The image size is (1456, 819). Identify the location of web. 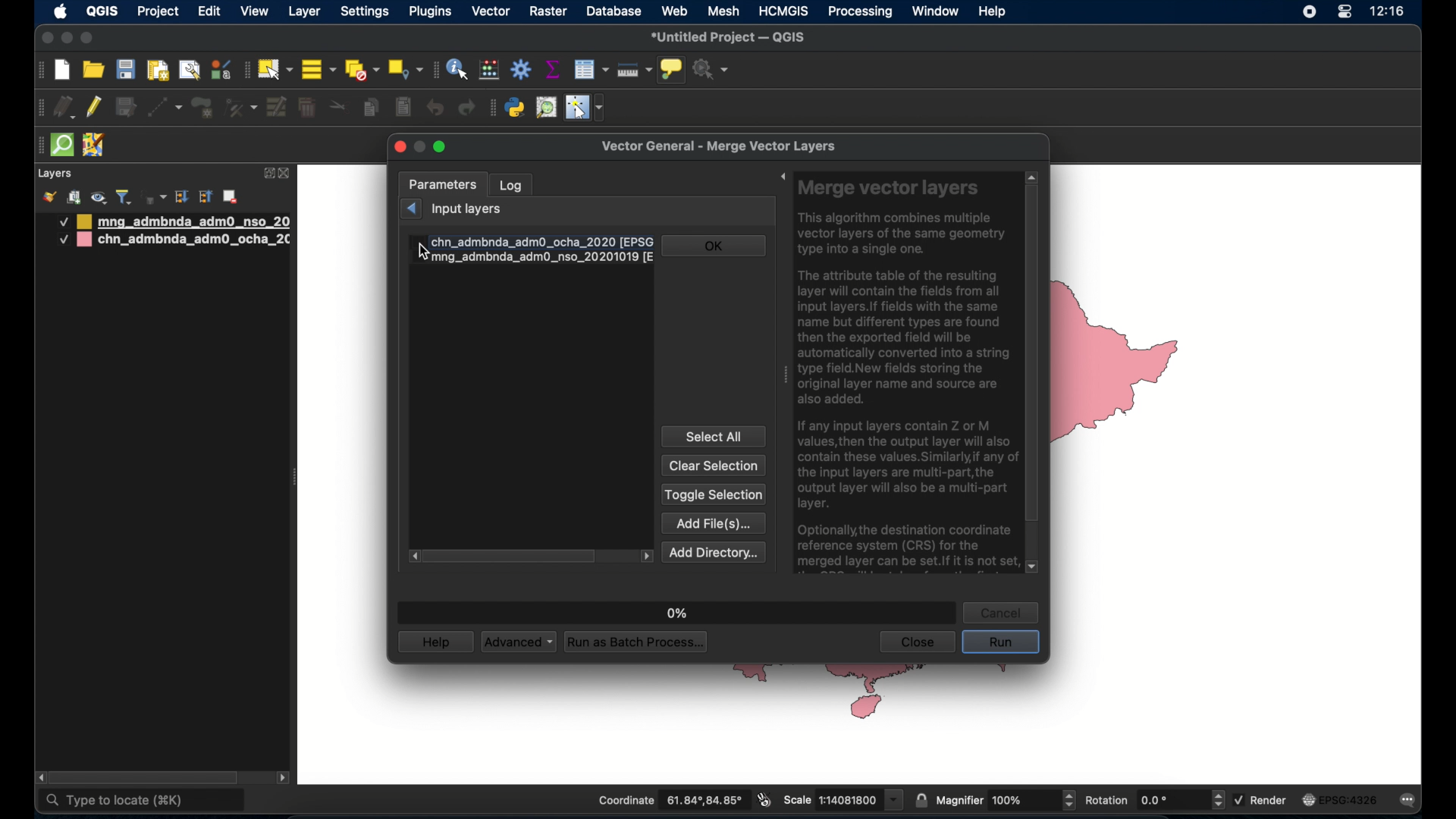
(676, 11).